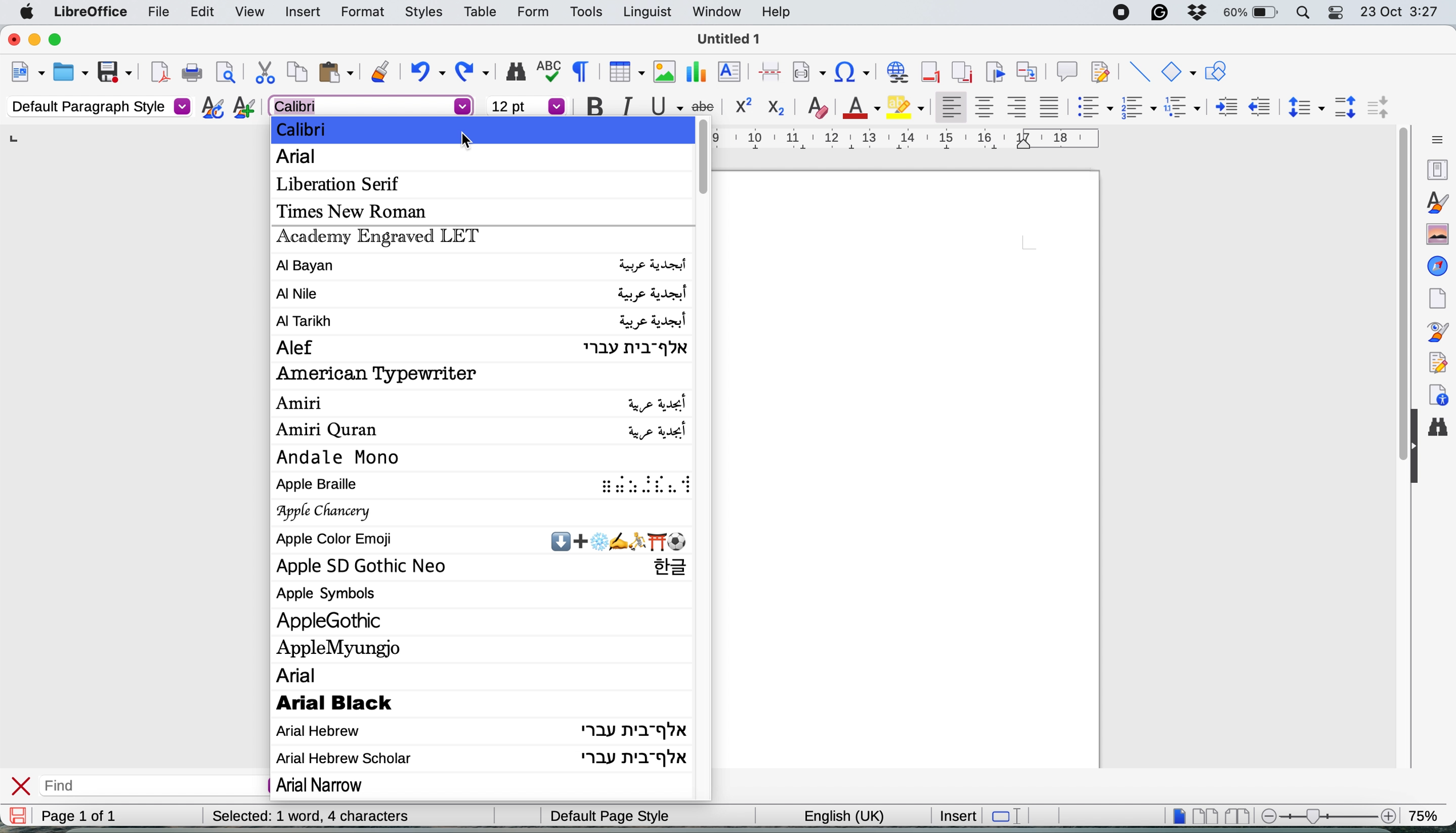 This screenshot has width=1456, height=833. I want to click on zoom factor, so click(1429, 814).